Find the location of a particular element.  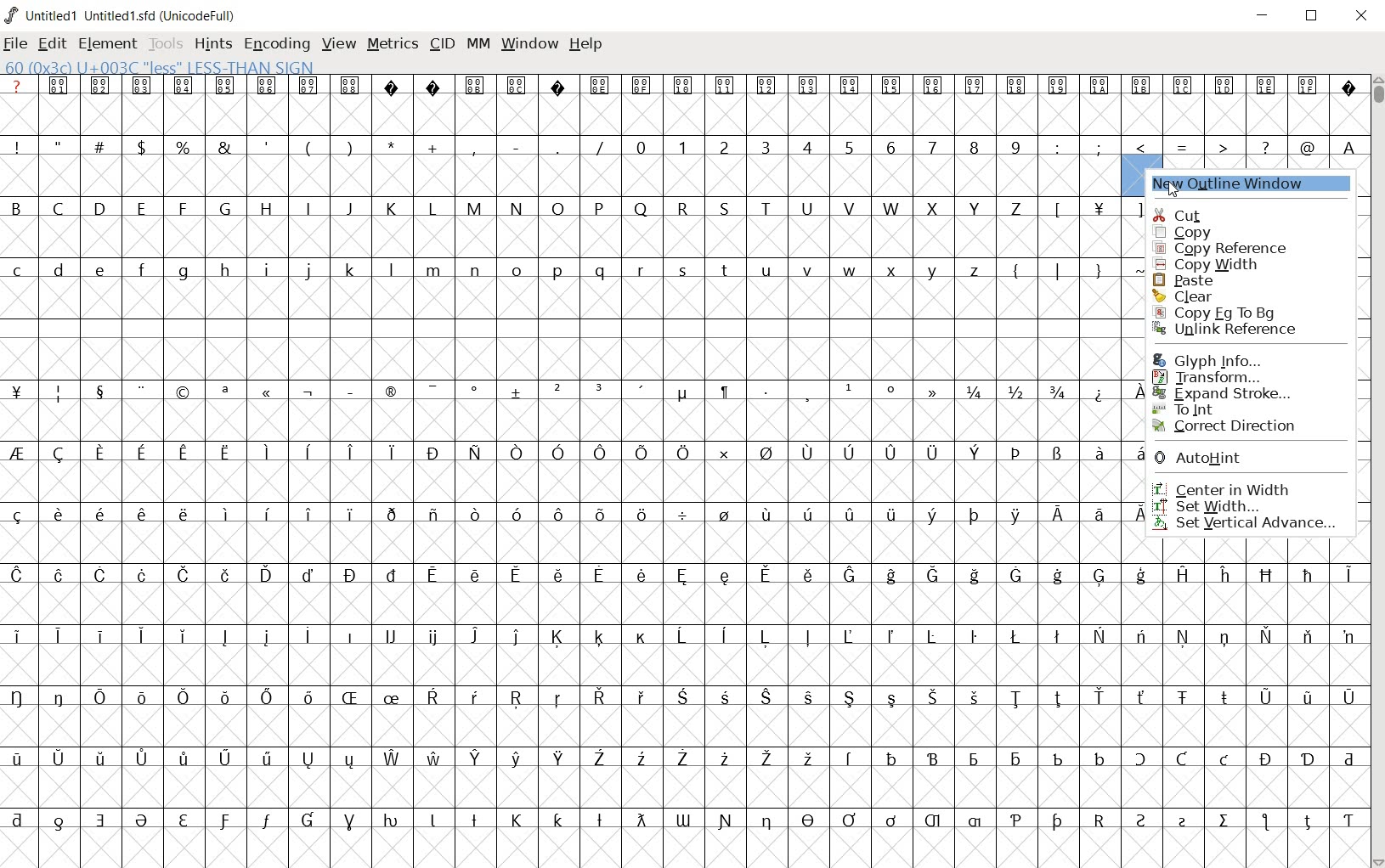

empty cells is located at coordinates (574, 299).